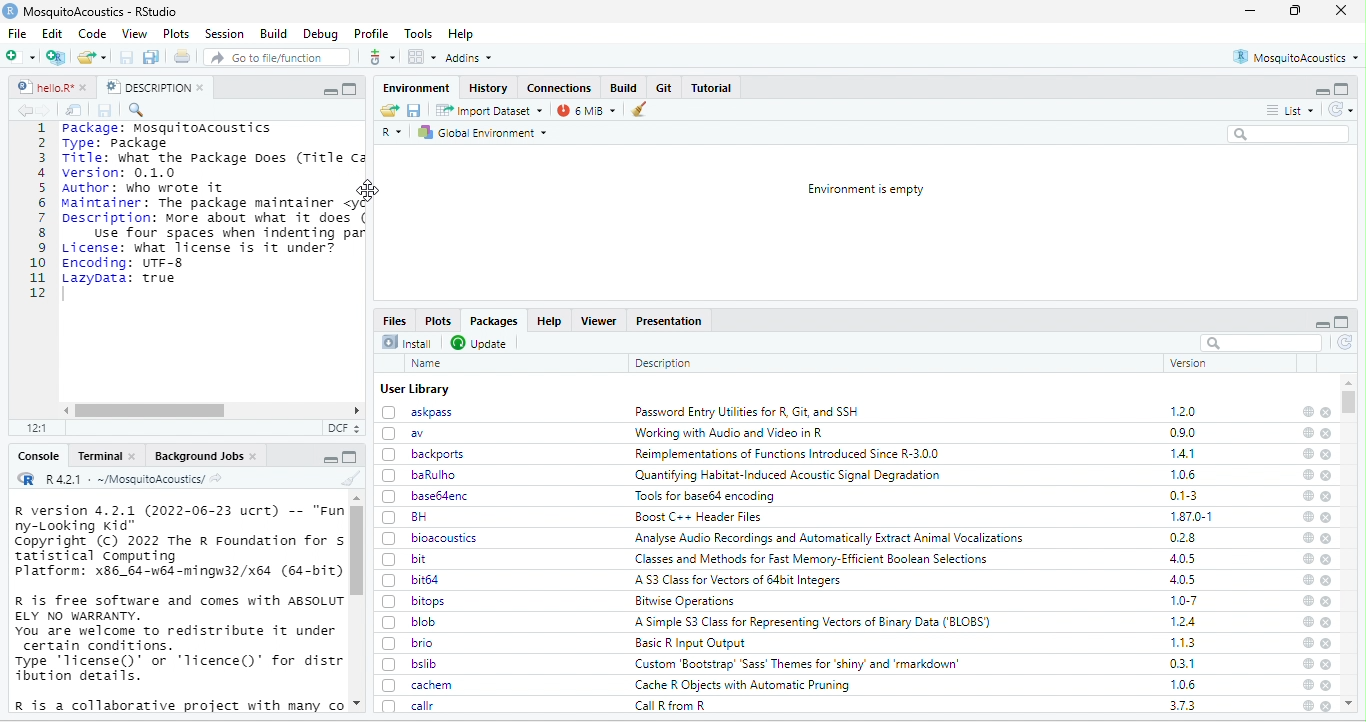 The width and height of the screenshot is (1366, 722). I want to click on View, so click(134, 32).